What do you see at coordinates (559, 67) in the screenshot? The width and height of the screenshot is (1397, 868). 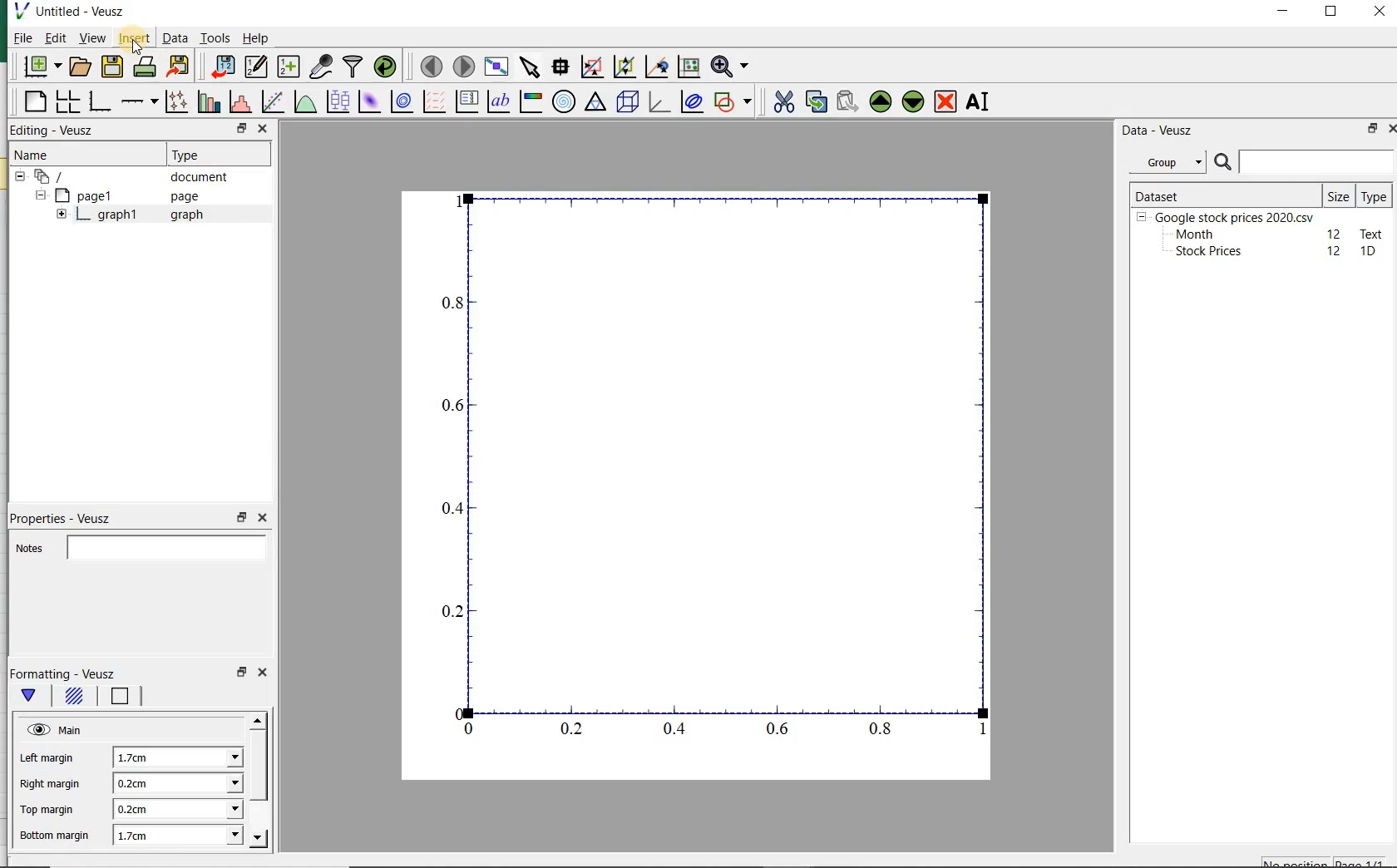 I see `read data points on the graph` at bounding box center [559, 67].